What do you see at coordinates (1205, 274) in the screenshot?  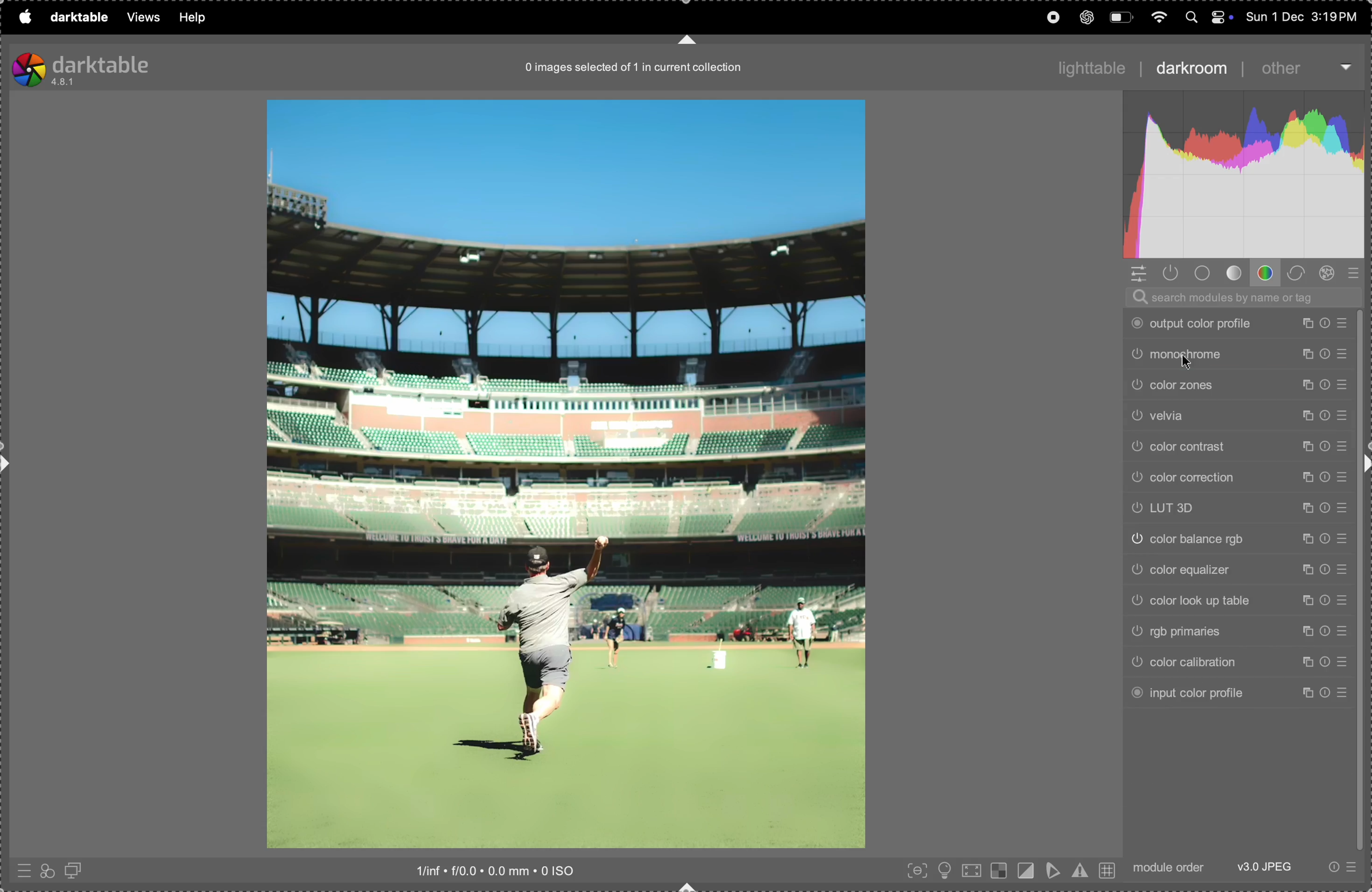 I see `base` at bounding box center [1205, 274].